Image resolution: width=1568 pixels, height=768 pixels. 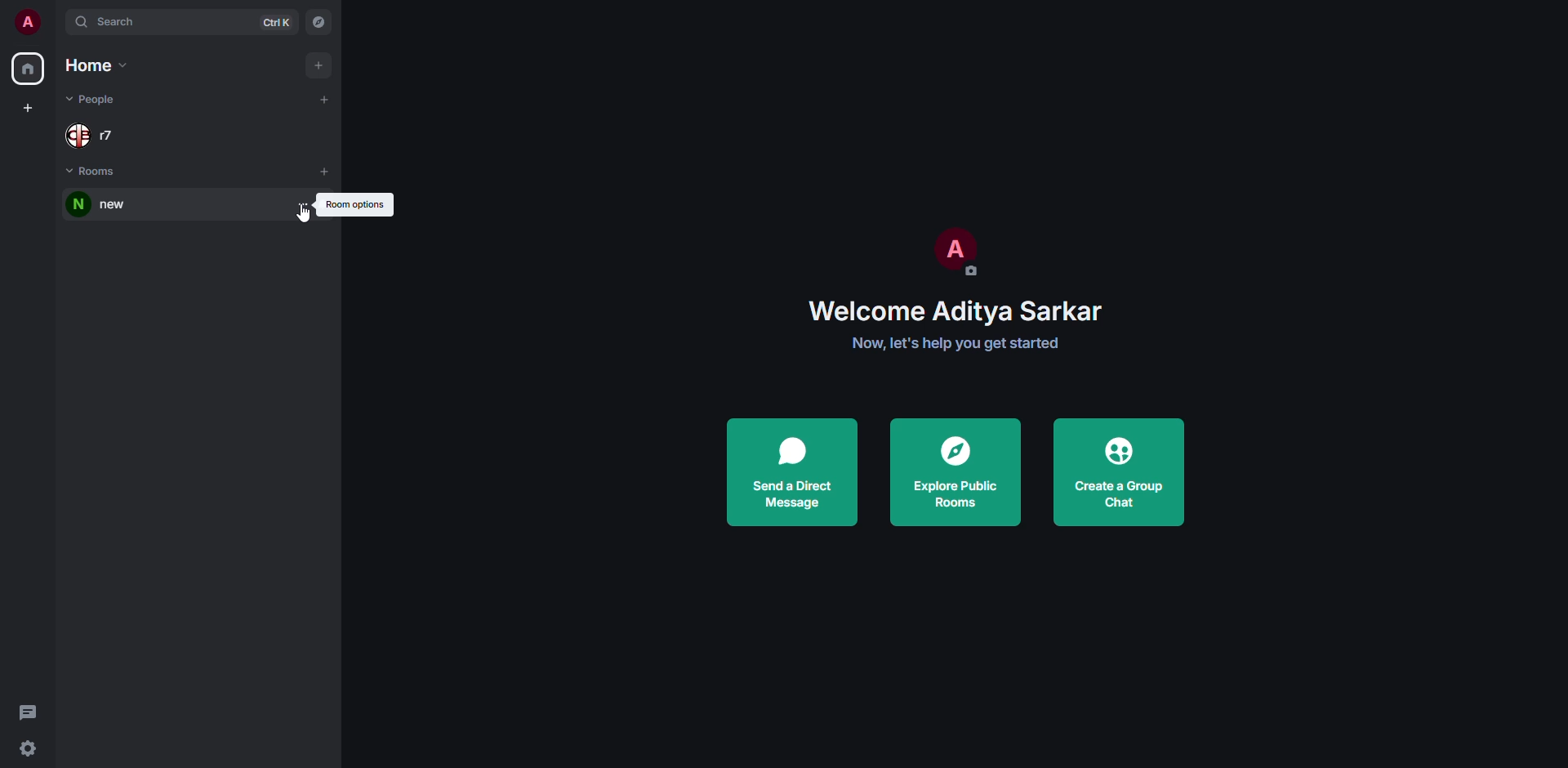 What do you see at coordinates (28, 750) in the screenshot?
I see `quick settings` at bounding box center [28, 750].